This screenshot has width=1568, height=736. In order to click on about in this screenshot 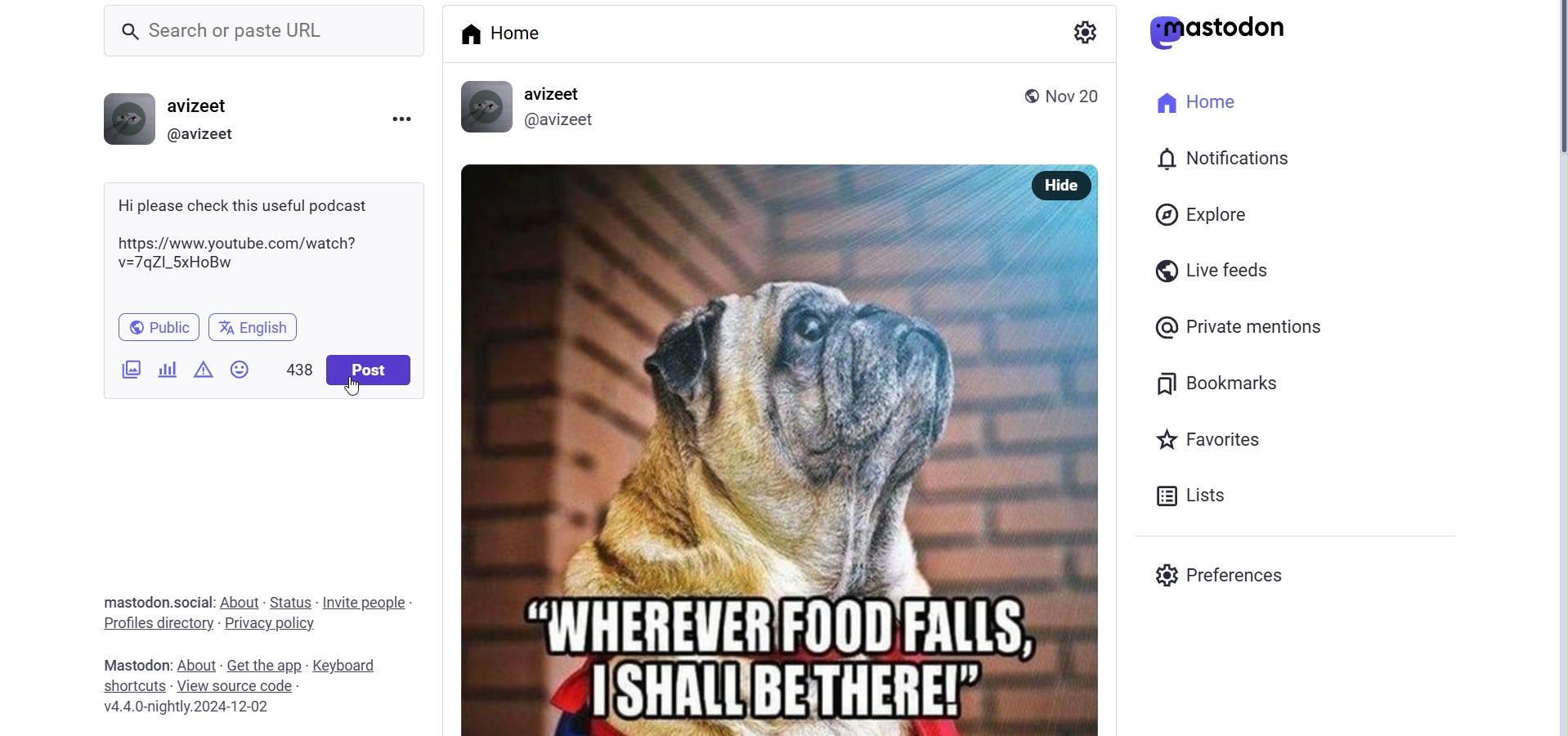, I will do `click(239, 602)`.